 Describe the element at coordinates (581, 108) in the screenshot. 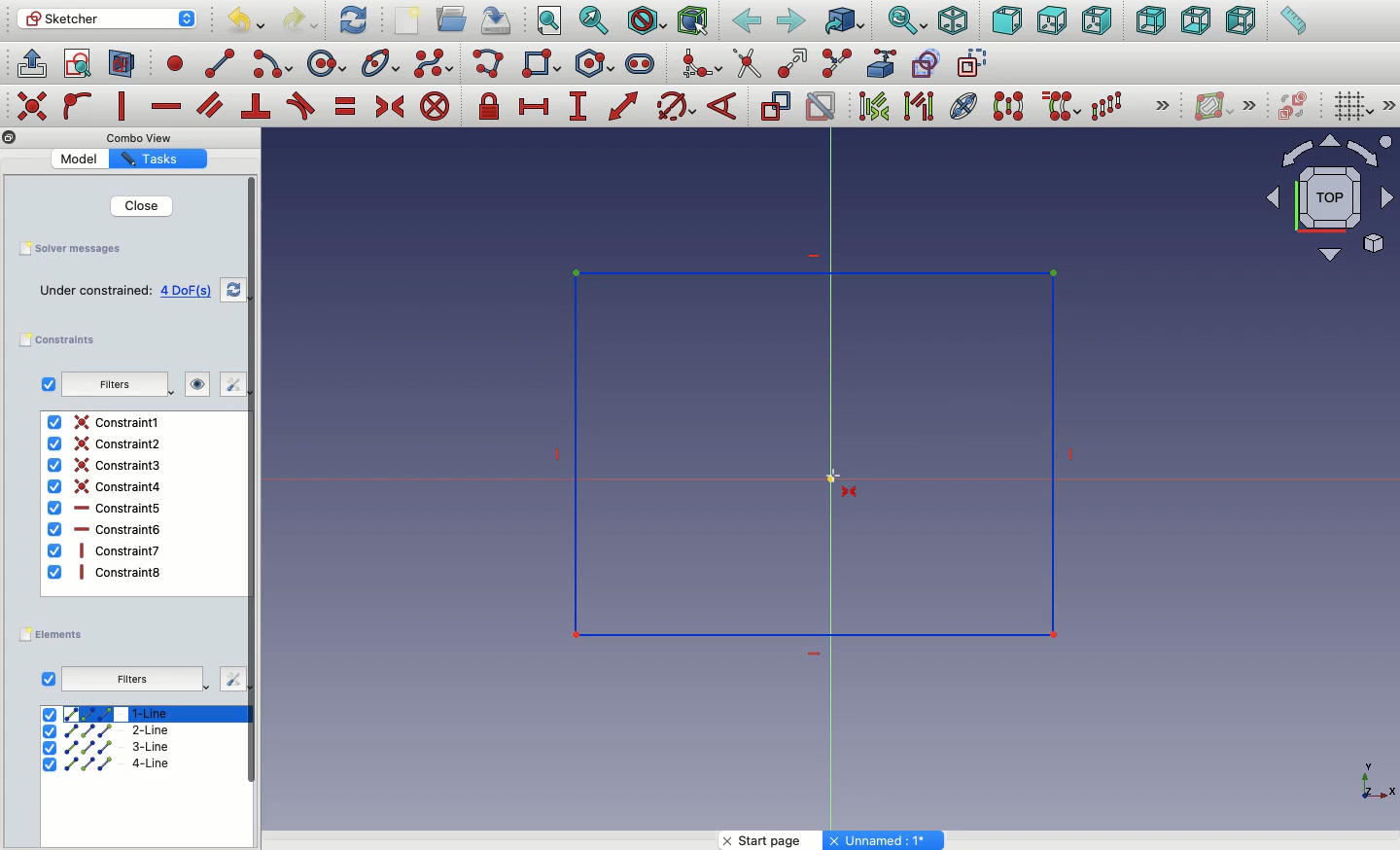

I see `constrain vertical distance` at that location.